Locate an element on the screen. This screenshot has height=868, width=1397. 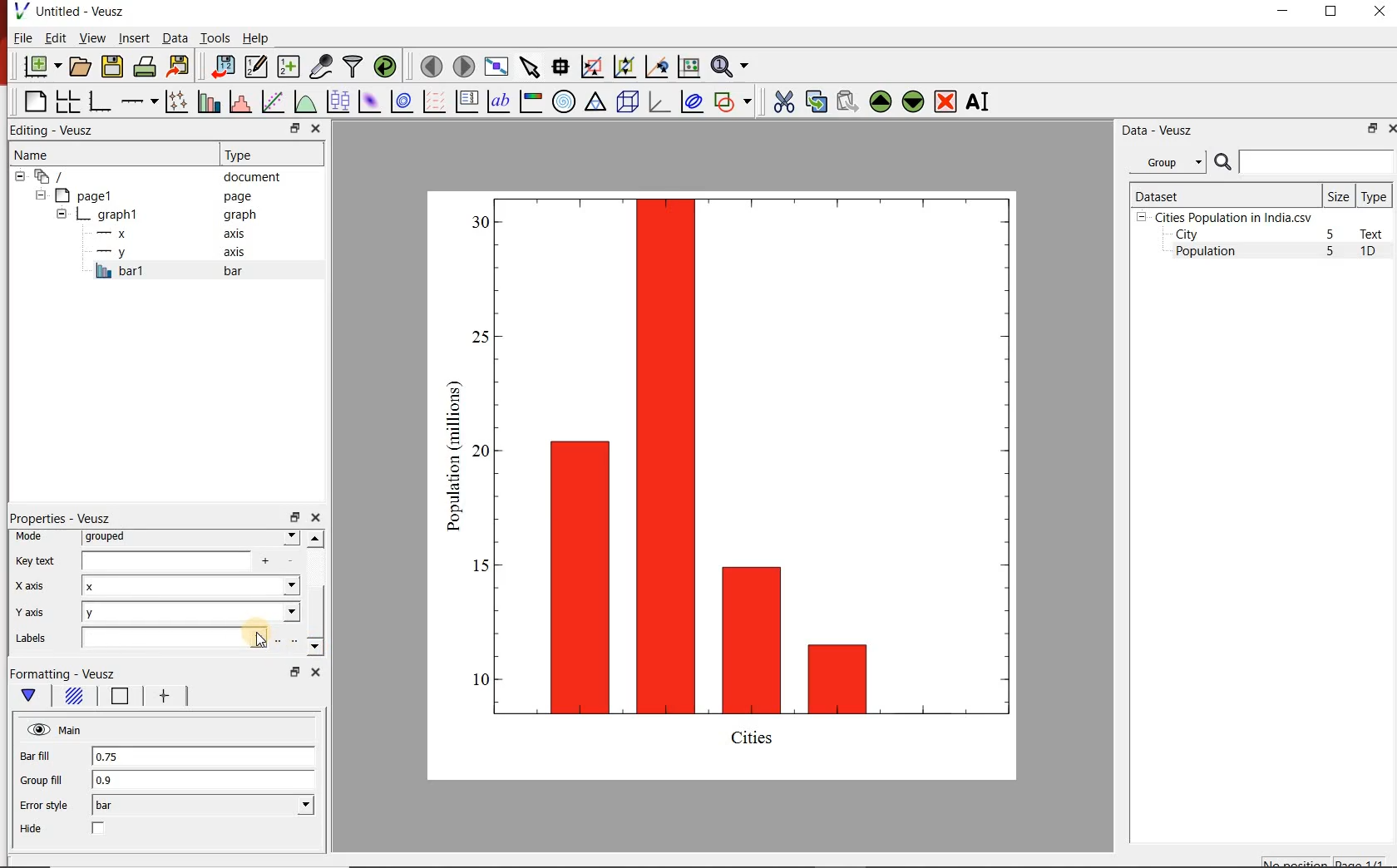
plot covariance ellipses is located at coordinates (692, 102).